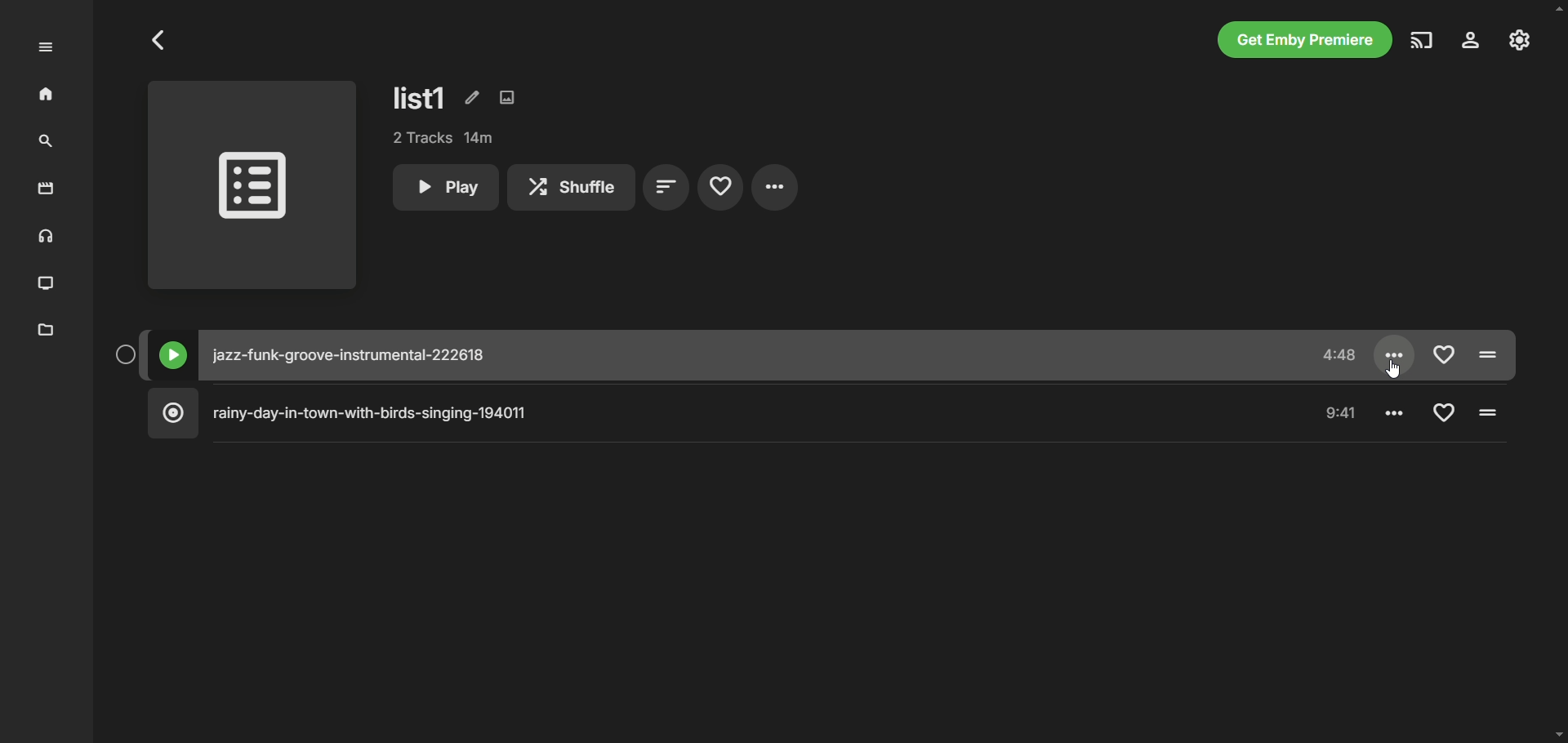 This screenshot has height=743, width=1568. What do you see at coordinates (1394, 413) in the screenshot?
I see `Settings` at bounding box center [1394, 413].